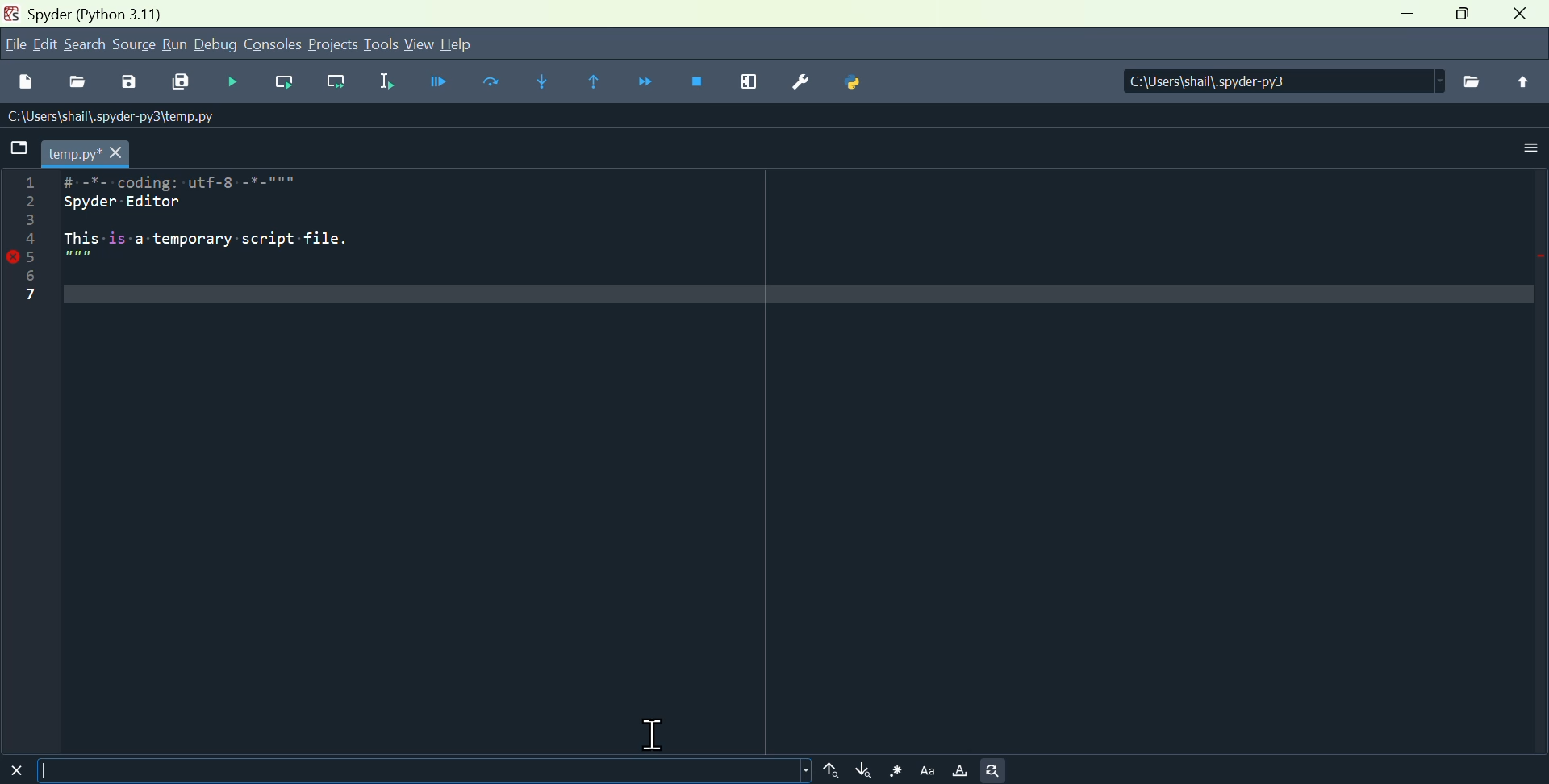 The image size is (1549, 784). Describe the element at coordinates (803, 462) in the screenshot. I see `# -*- coding: utf-8 -*- """ Spyder Editor  This is a temporary script file. """` at that location.